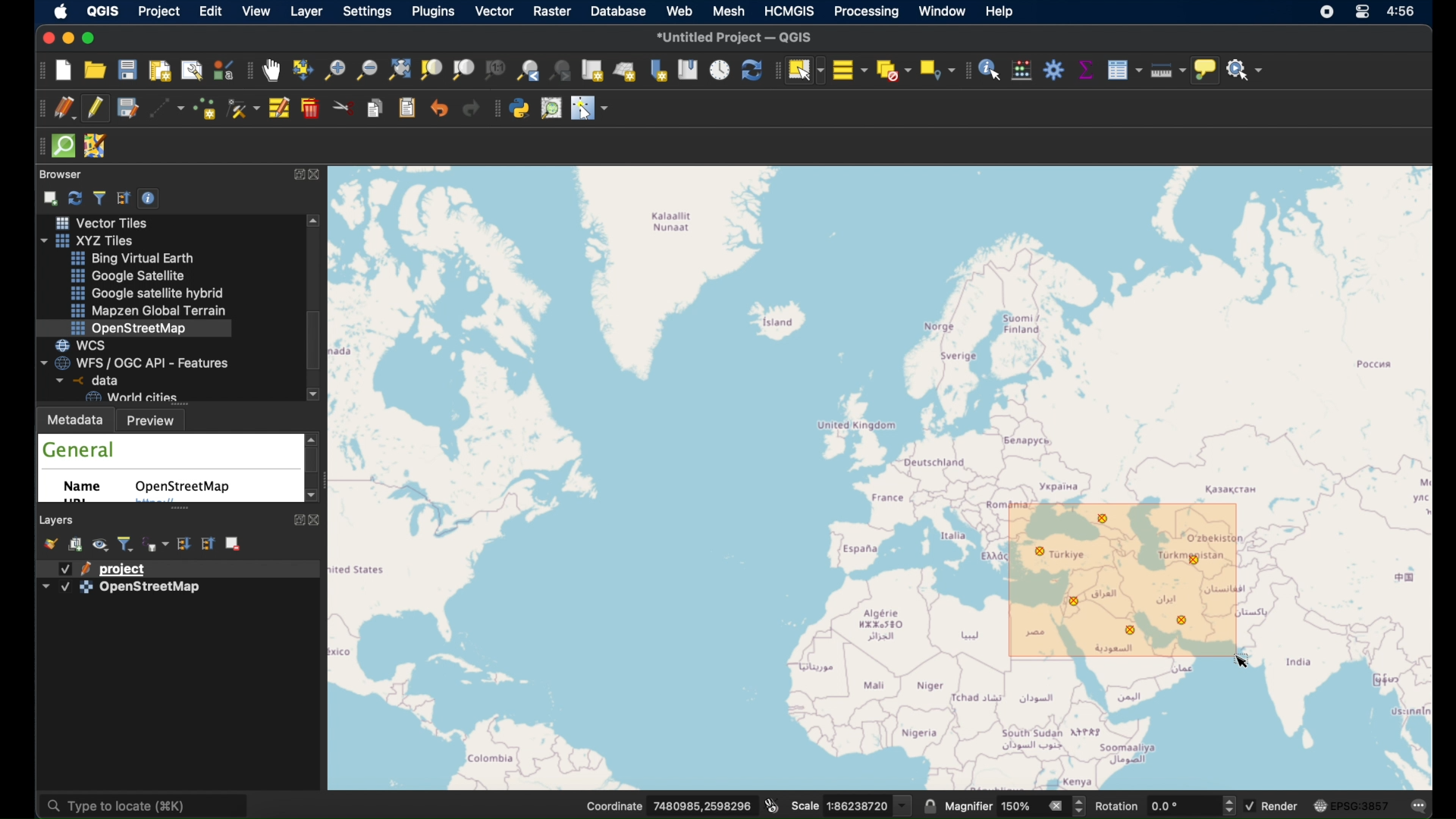 The height and width of the screenshot is (819, 1456). What do you see at coordinates (193, 72) in the screenshot?
I see `show layout manager` at bounding box center [193, 72].